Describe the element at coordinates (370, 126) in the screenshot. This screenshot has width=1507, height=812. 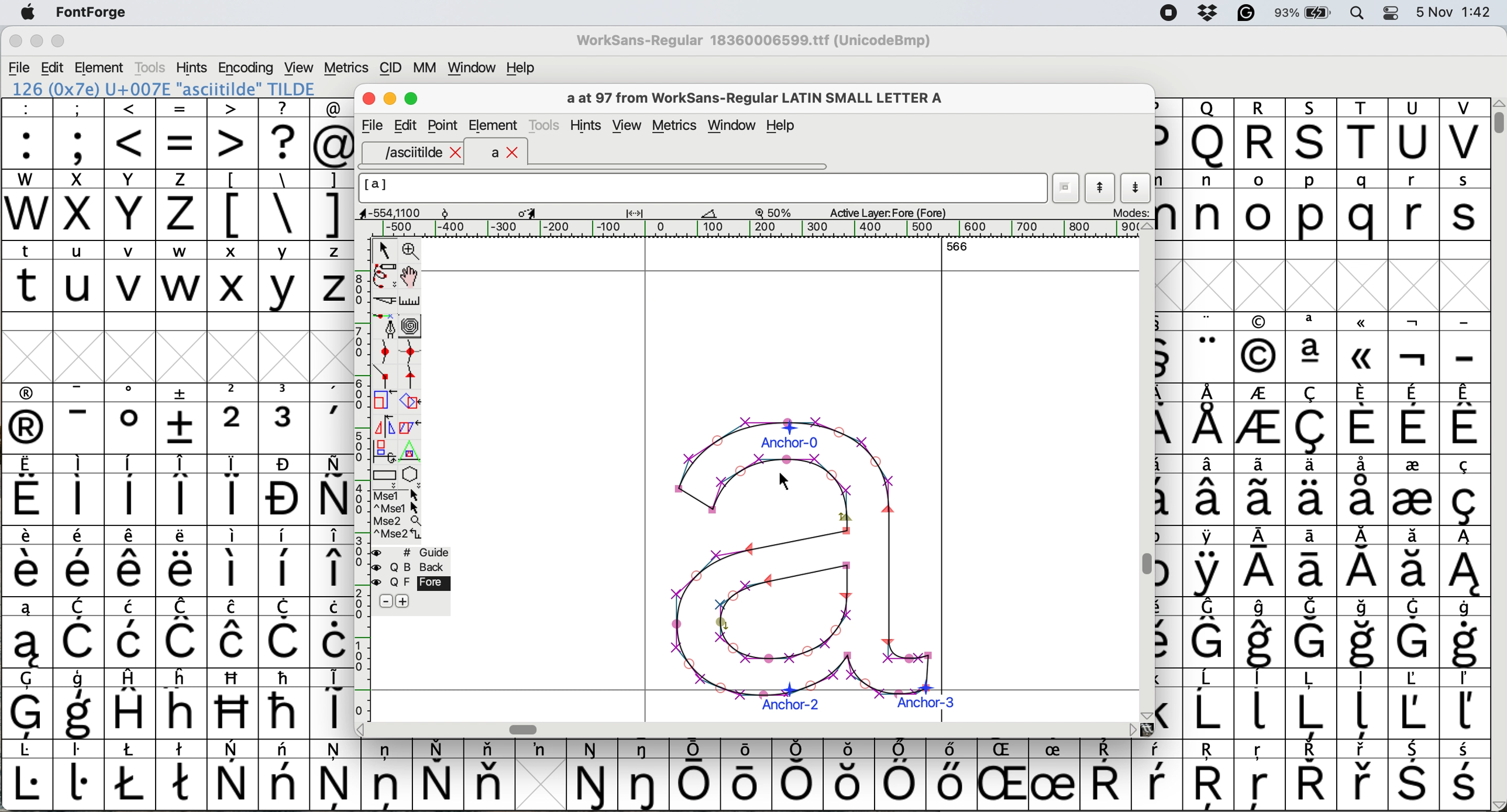
I see `file` at that location.